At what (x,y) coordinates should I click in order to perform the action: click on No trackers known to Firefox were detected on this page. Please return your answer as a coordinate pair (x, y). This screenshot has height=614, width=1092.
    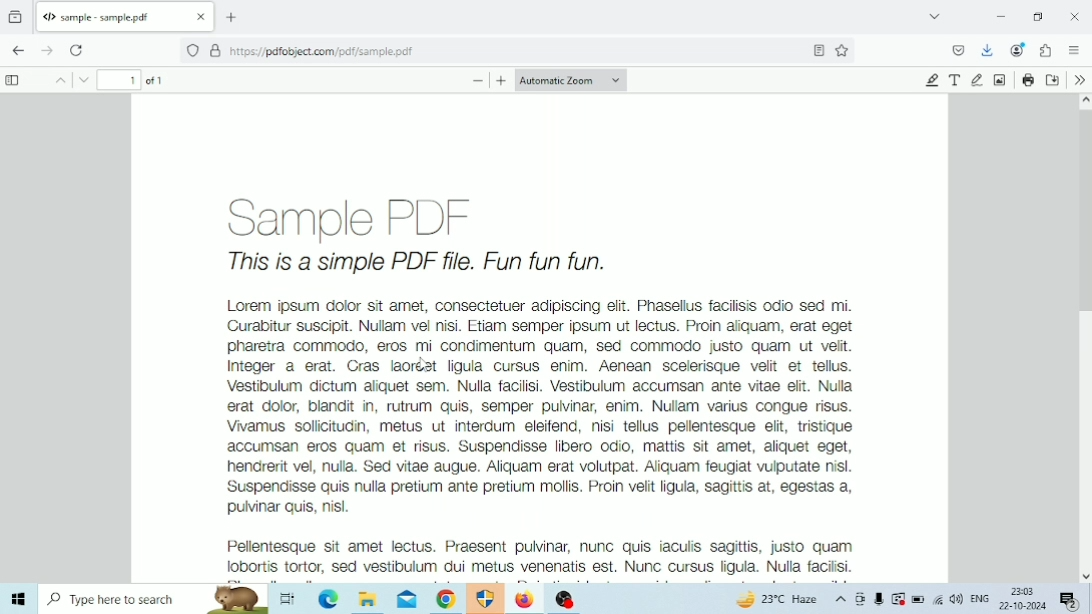
    Looking at the image, I should click on (192, 51).